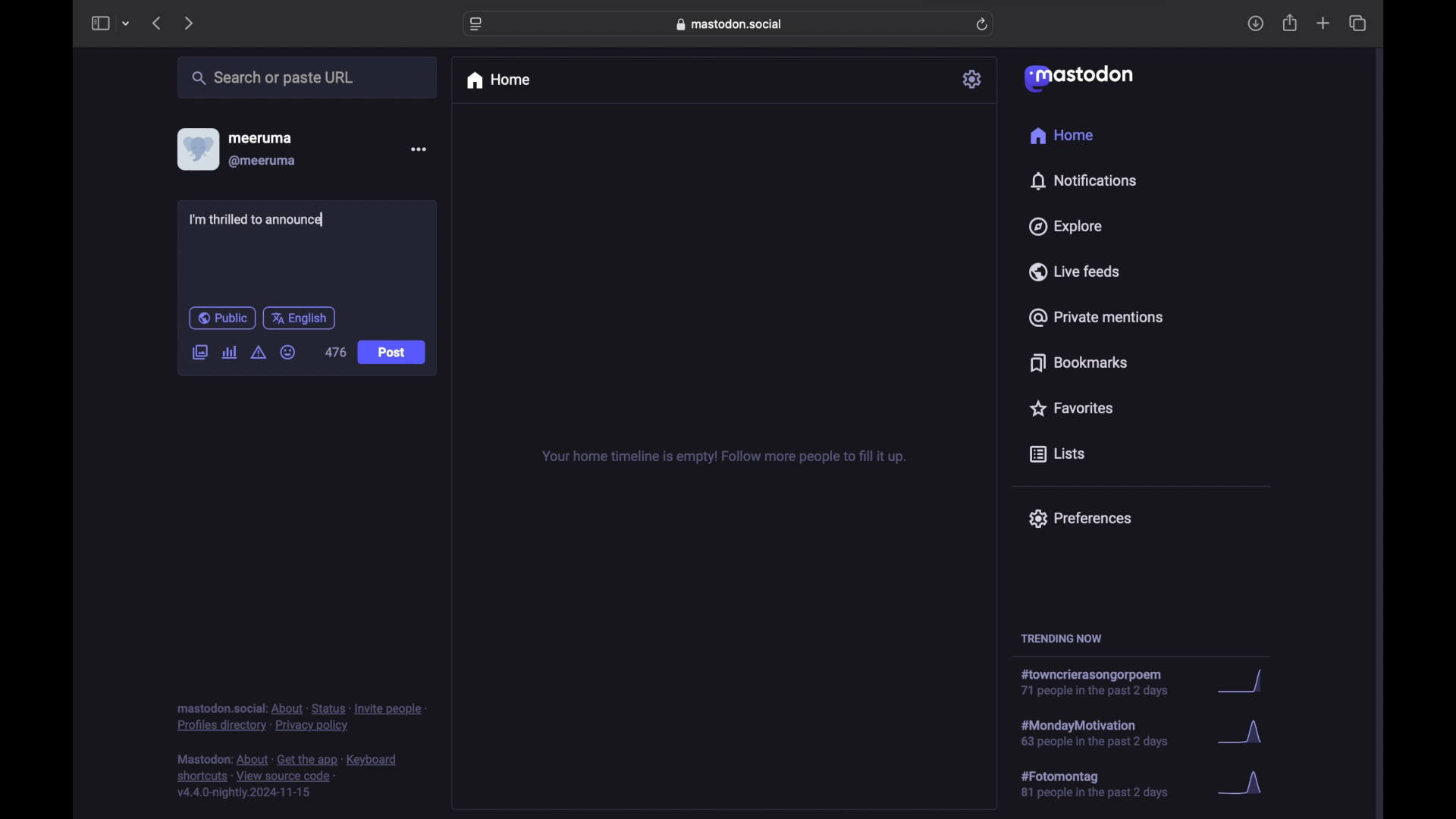 This screenshot has width=1456, height=819. What do you see at coordinates (497, 80) in the screenshot?
I see `home` at bounding box center [497, 80].